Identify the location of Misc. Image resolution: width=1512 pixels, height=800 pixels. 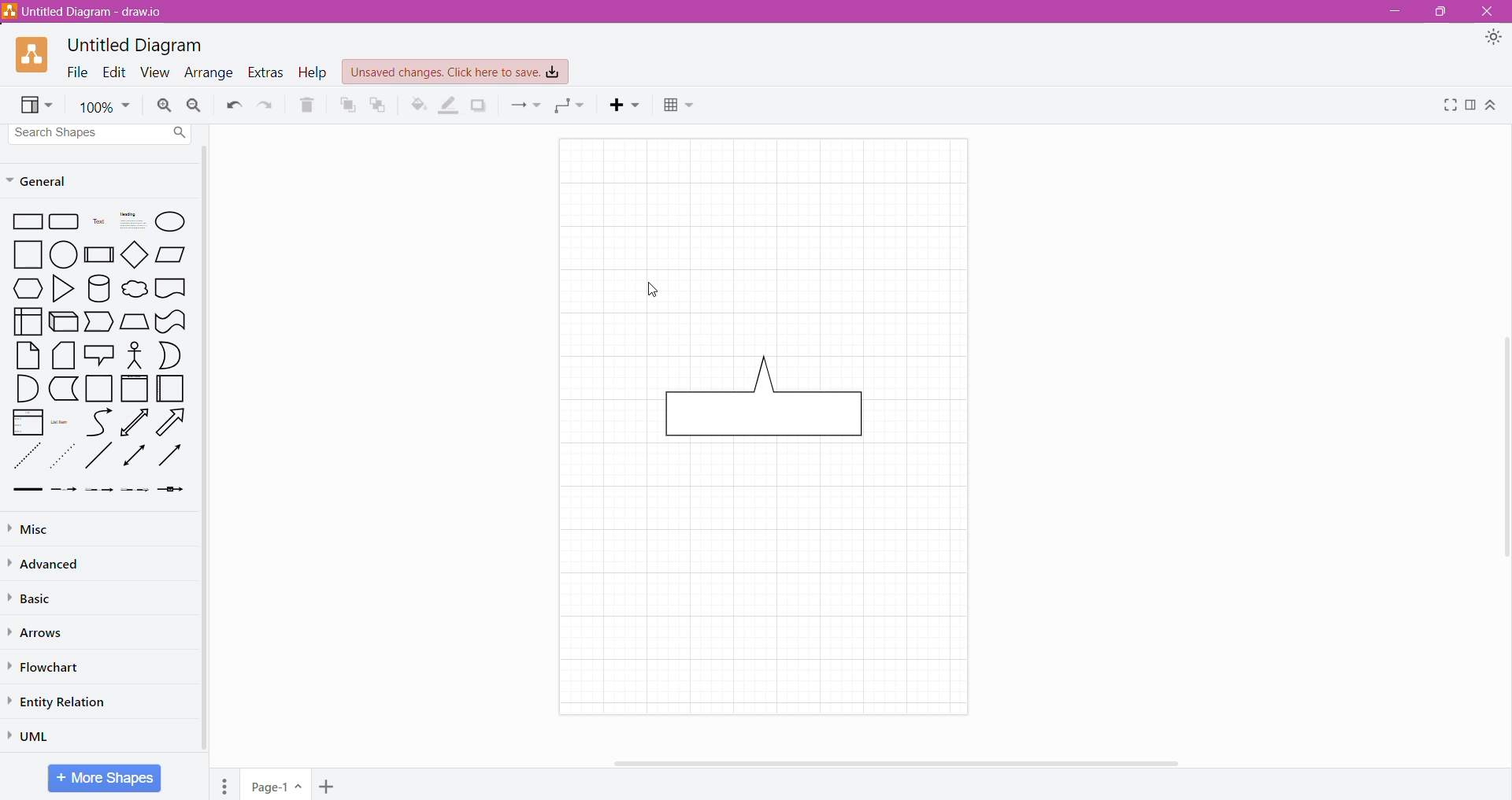
(38, 528).